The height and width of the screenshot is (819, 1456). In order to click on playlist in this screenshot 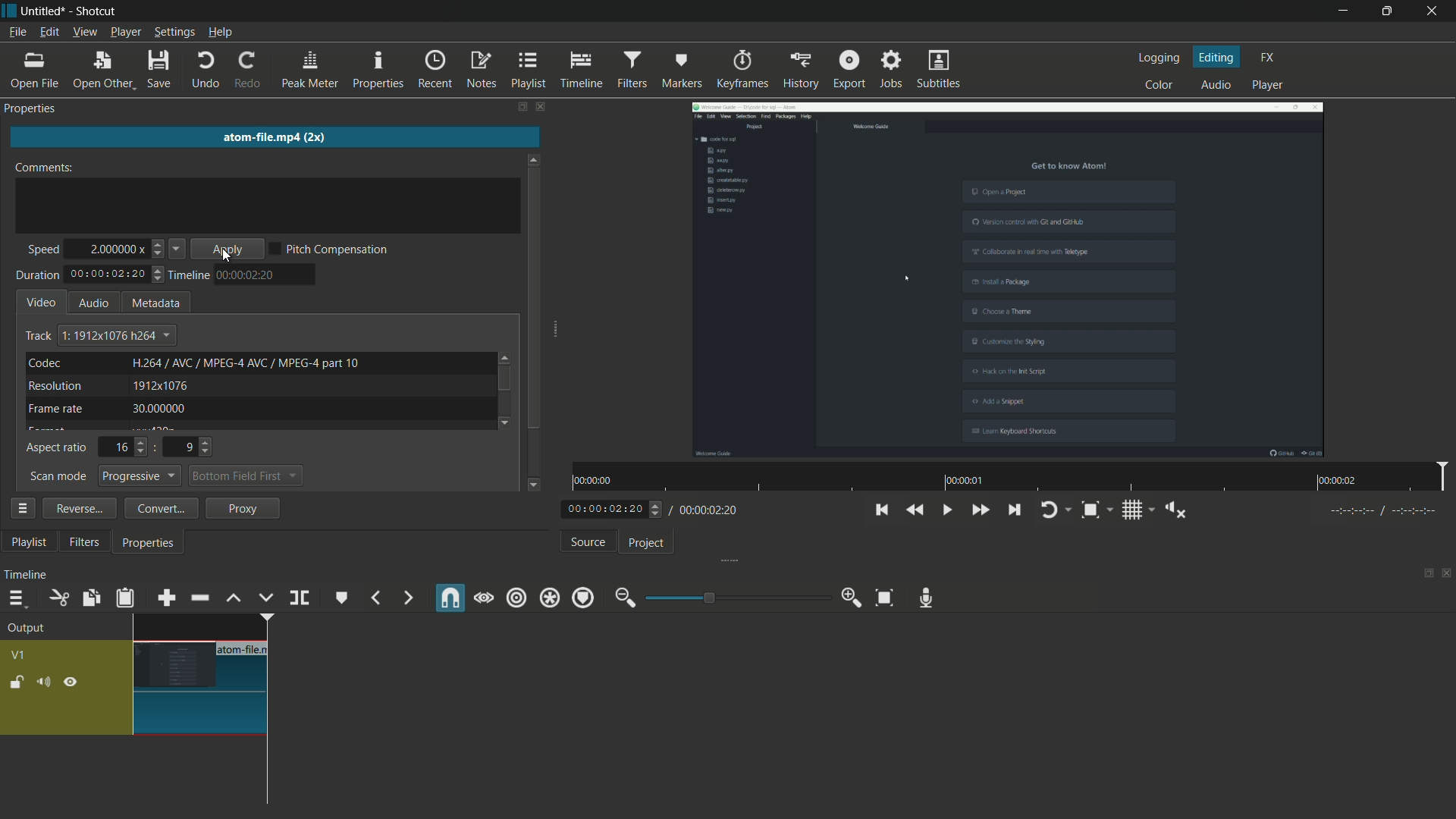, I will do `click(527, 71)`.